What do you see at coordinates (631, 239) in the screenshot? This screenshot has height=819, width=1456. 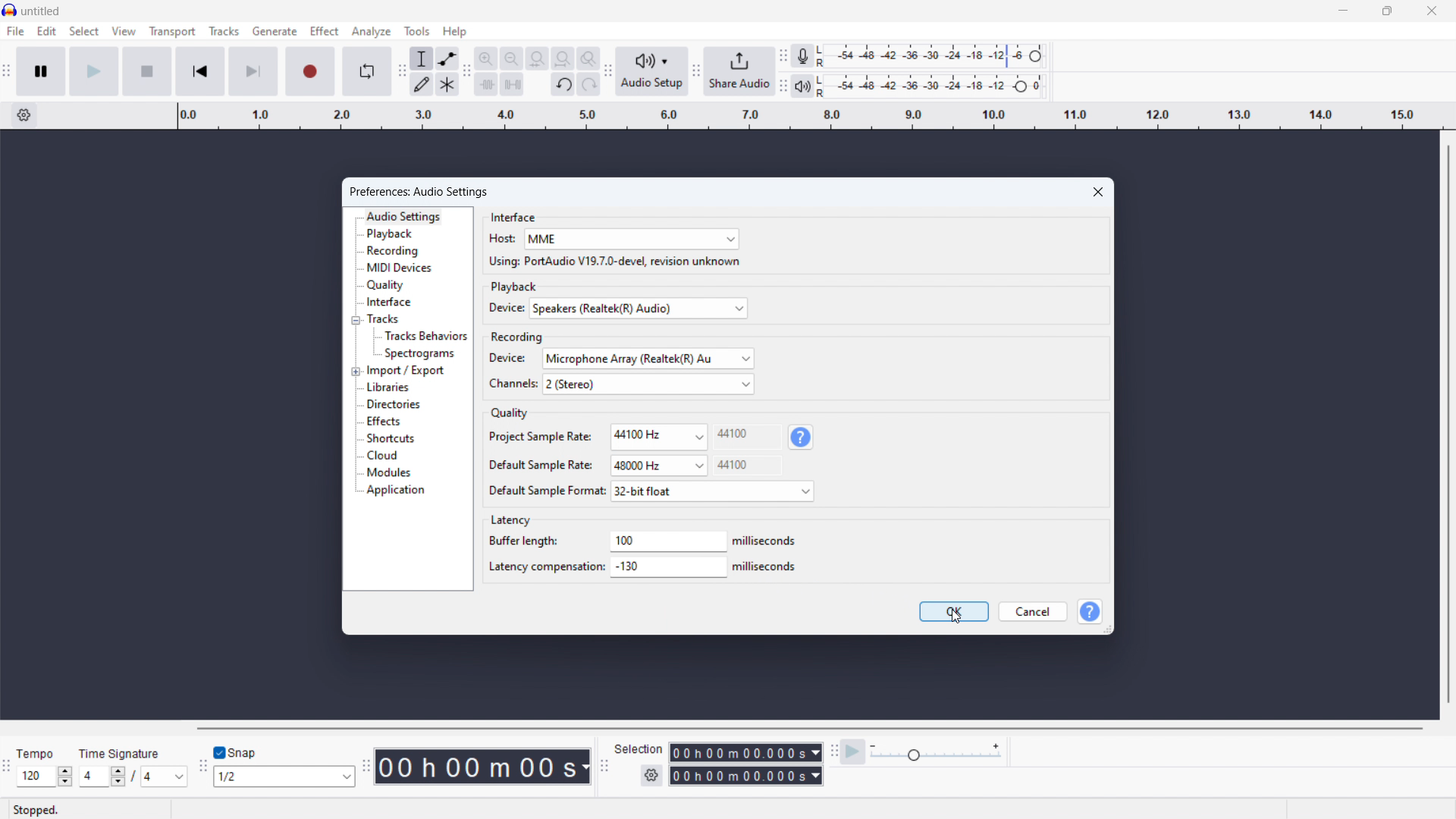 I see `interface host` at bounding box center [631, 239].